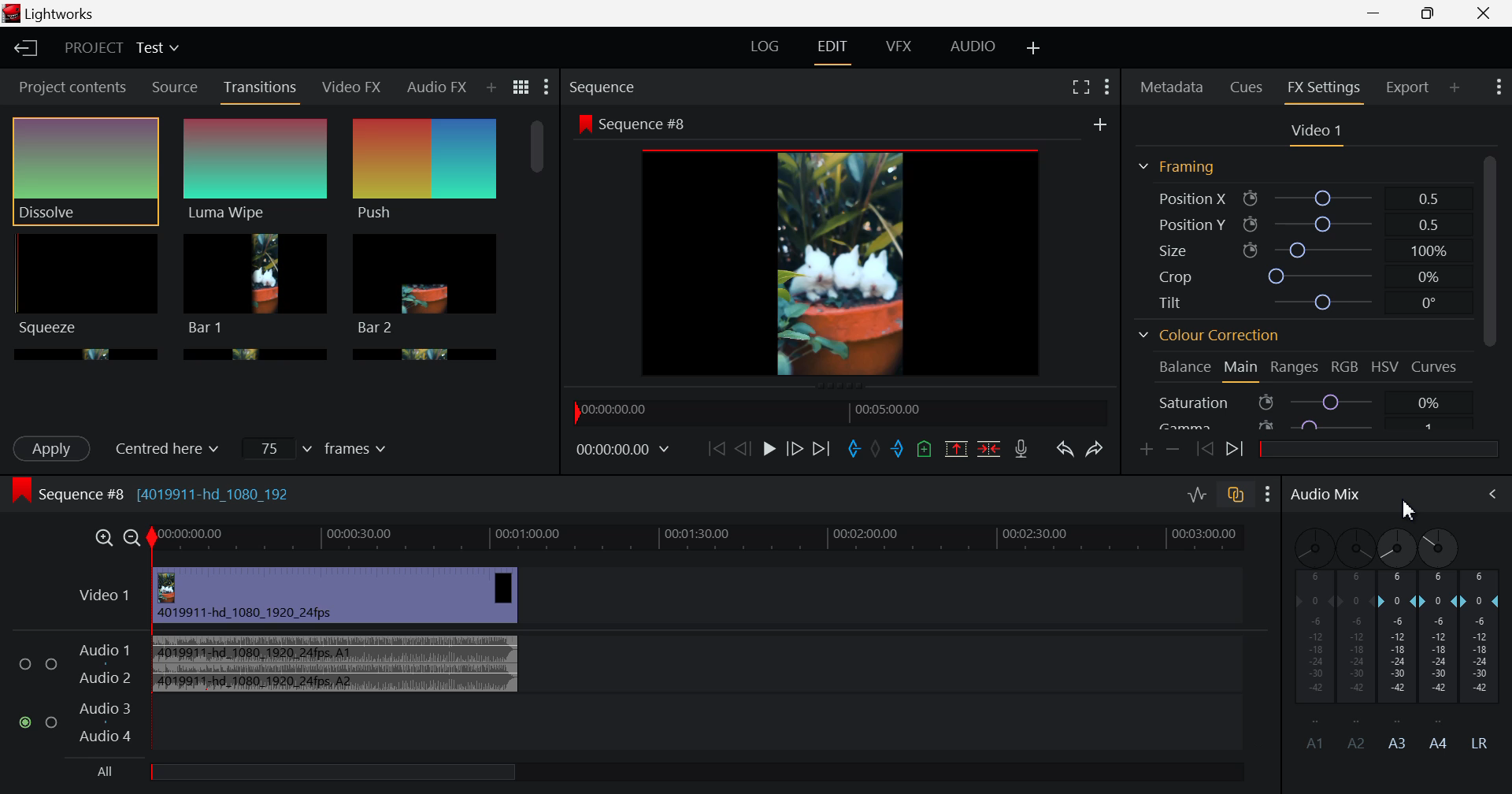  What do you see at coordinates (622, 453) in the screenshot?
I see `Frame Time` at bounding box center [622, 453].